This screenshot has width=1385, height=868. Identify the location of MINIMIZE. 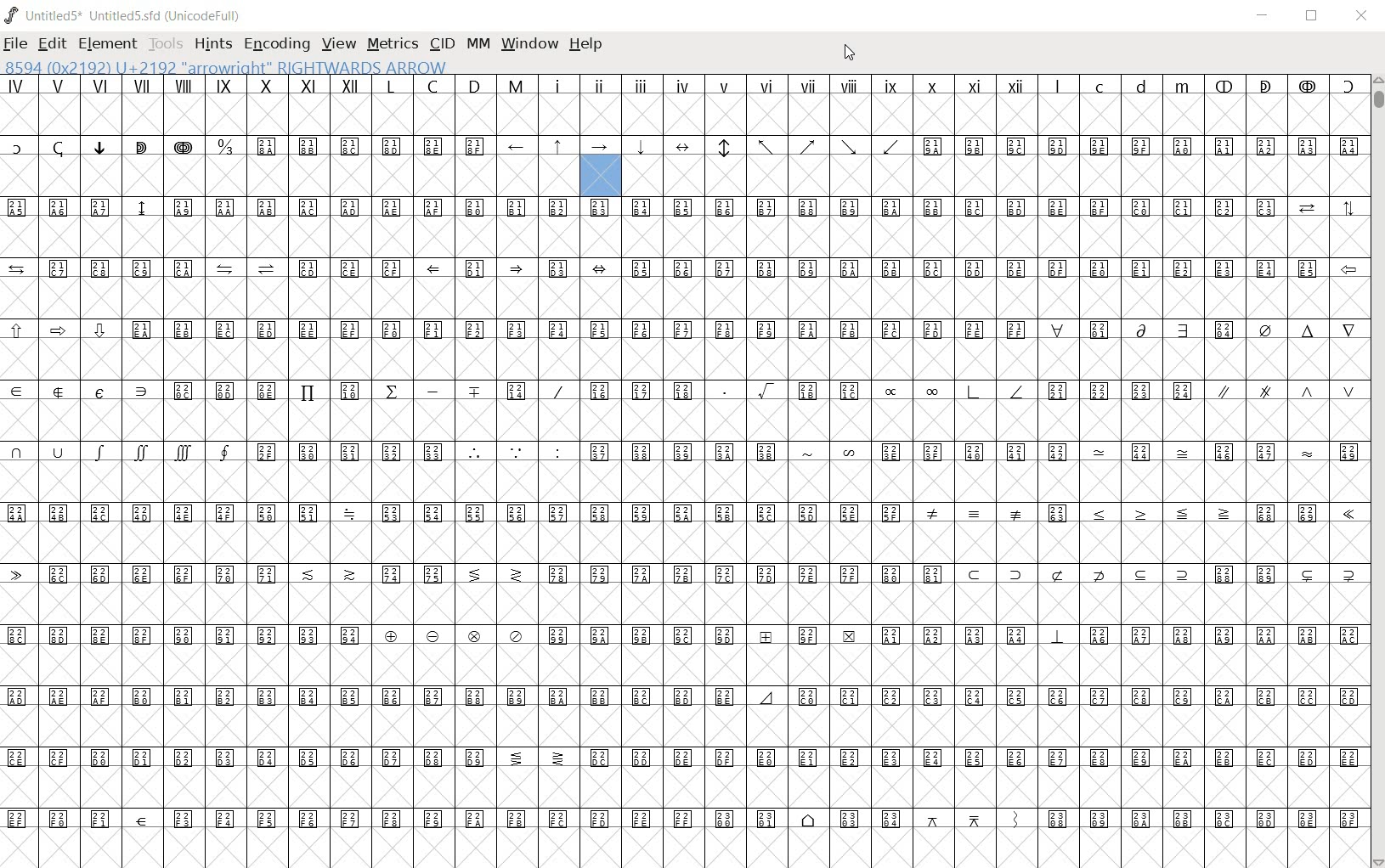
(1264, 15).